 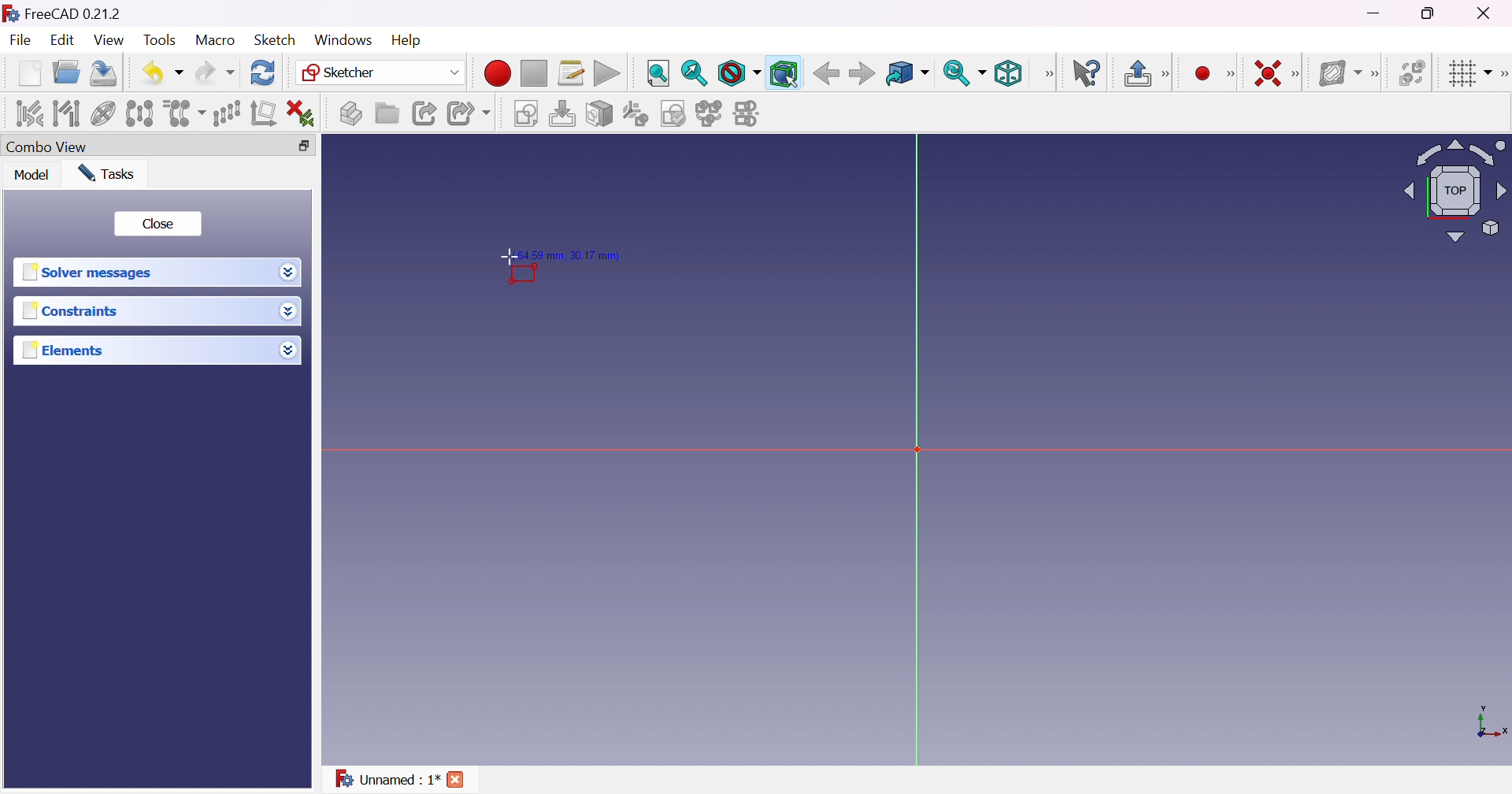 What do you see at coordinates (109, 39) in the screenshot?
I see `View` at bounding box center [109, 39].